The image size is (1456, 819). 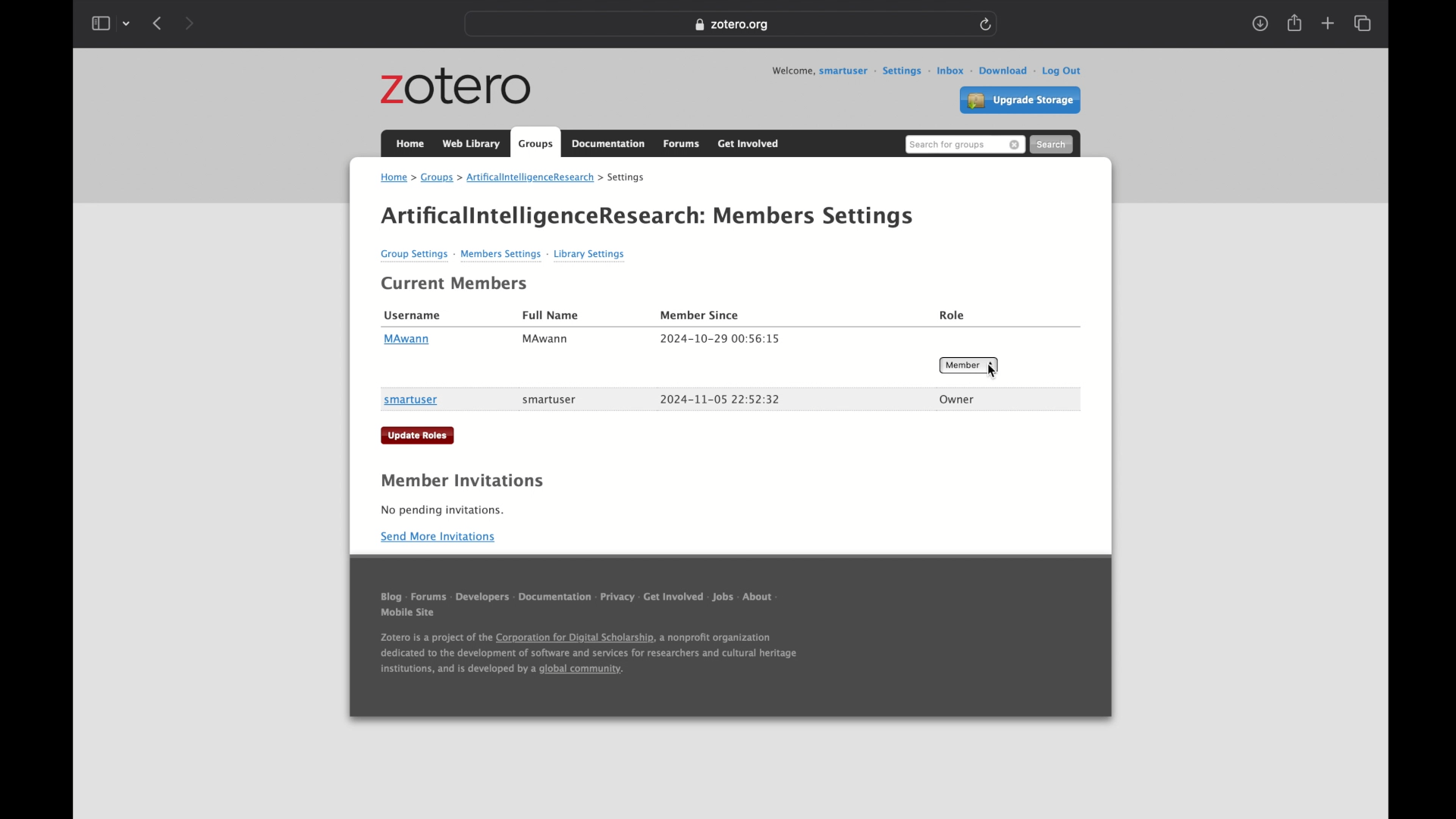 I want to click on welcome, smartuser, so click(x=818, y=71).